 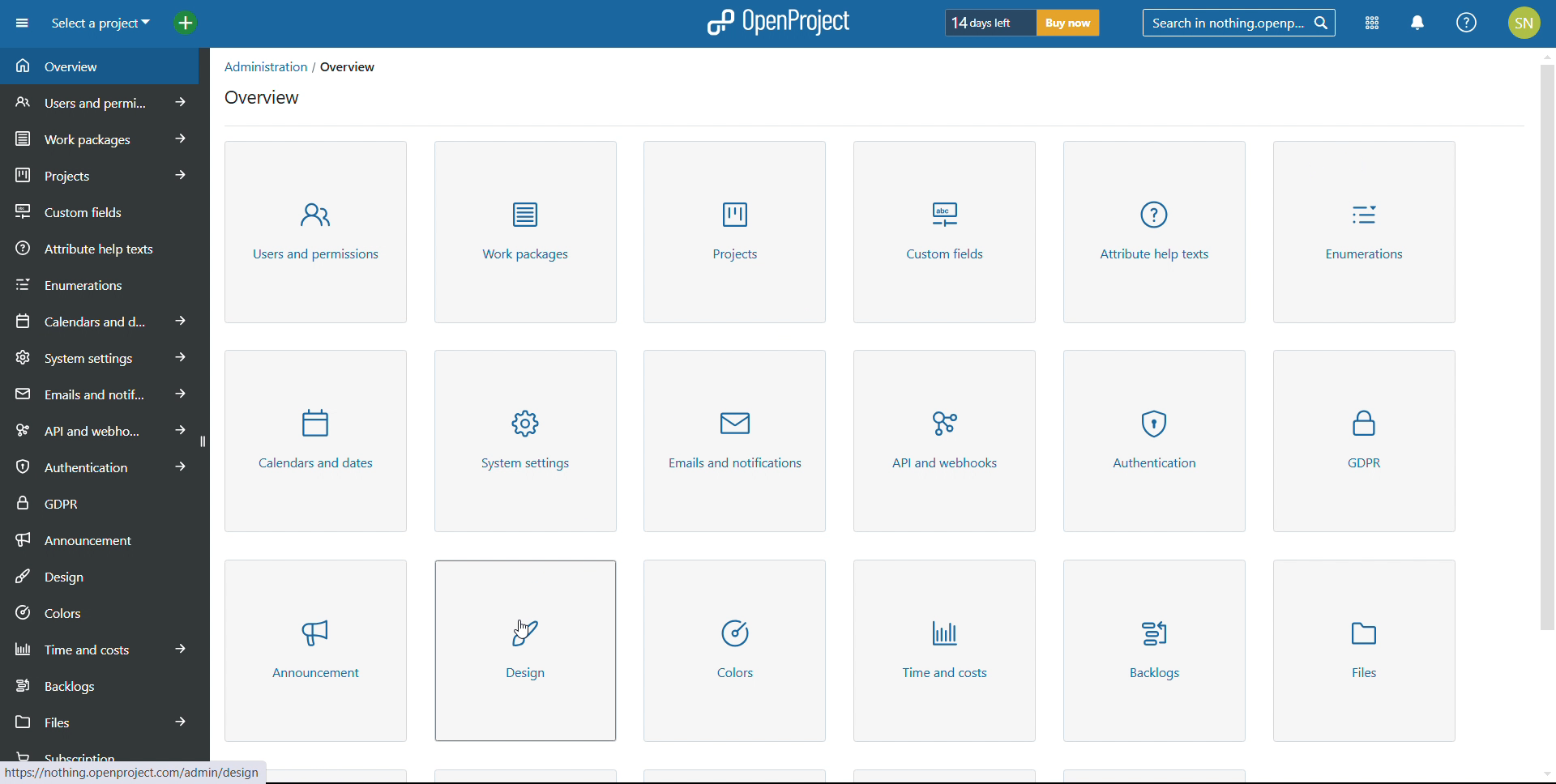 What do you see at coordinates (104, 611) in the screenshot?
I see `colors` at bounding box center [104, 611].